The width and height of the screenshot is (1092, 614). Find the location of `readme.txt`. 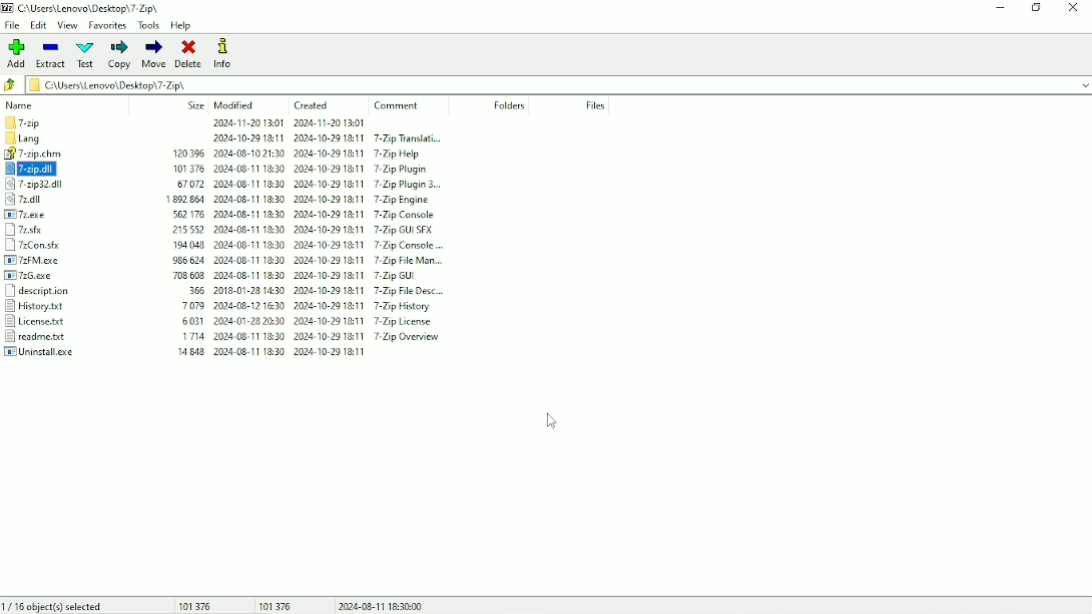

readme.txt is located at coordinates (38, 338).